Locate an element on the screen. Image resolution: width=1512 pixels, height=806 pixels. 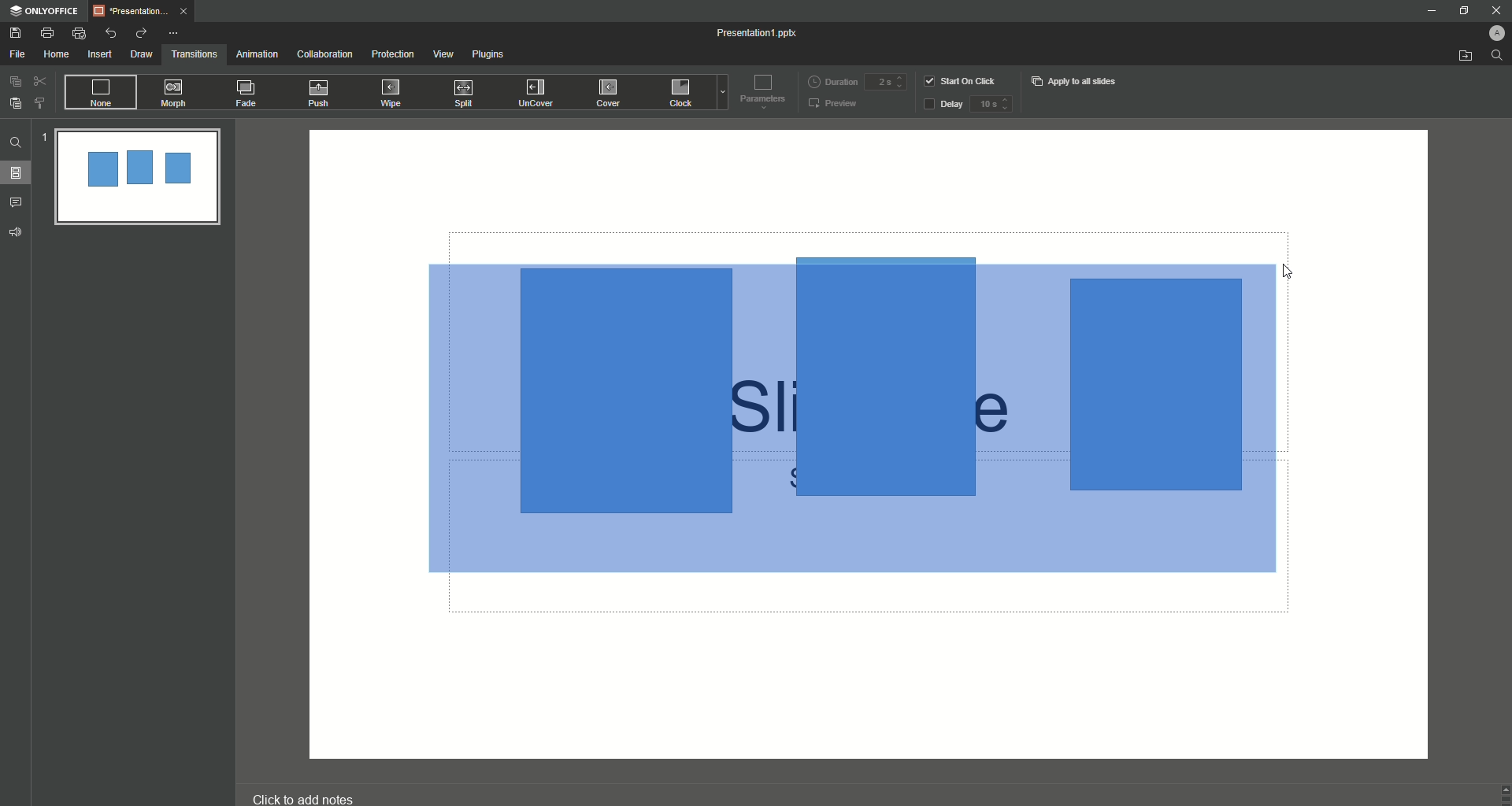
Insert is located at coordinates (99, 55).